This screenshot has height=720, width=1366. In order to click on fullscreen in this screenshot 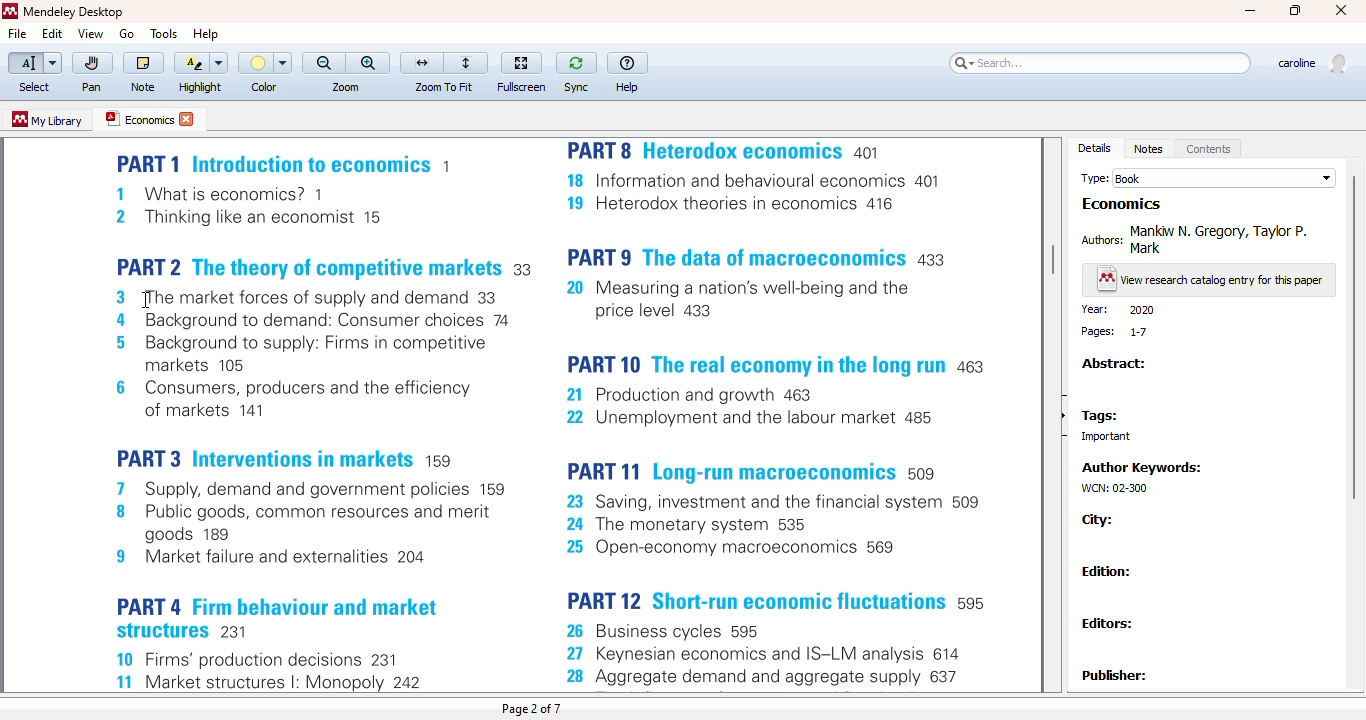, I will do `click(521, 63)`.